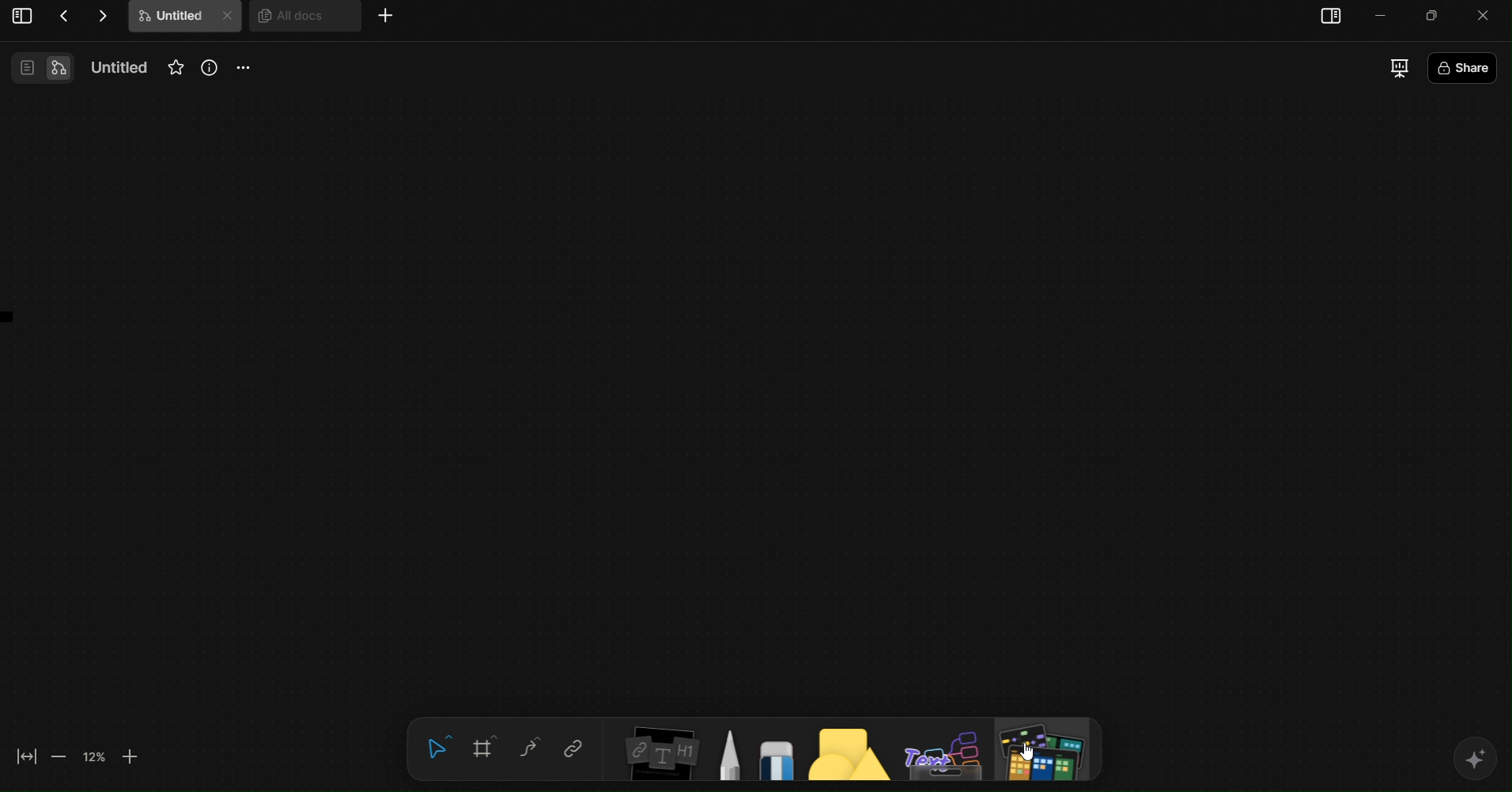  Describe the element at coordinates (114, 66) in the screenshot. I see `Name` at that location.